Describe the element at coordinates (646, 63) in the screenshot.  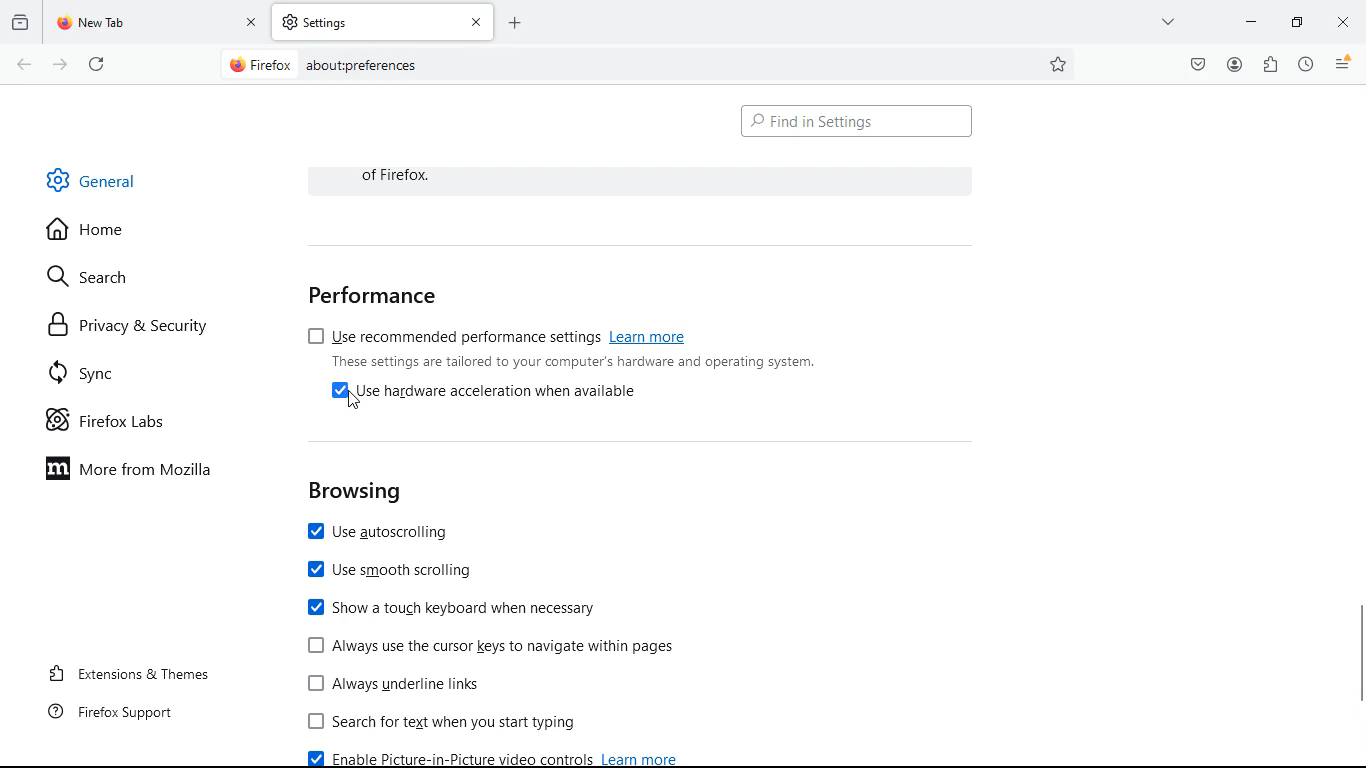
I see `Search Bar` at that location.